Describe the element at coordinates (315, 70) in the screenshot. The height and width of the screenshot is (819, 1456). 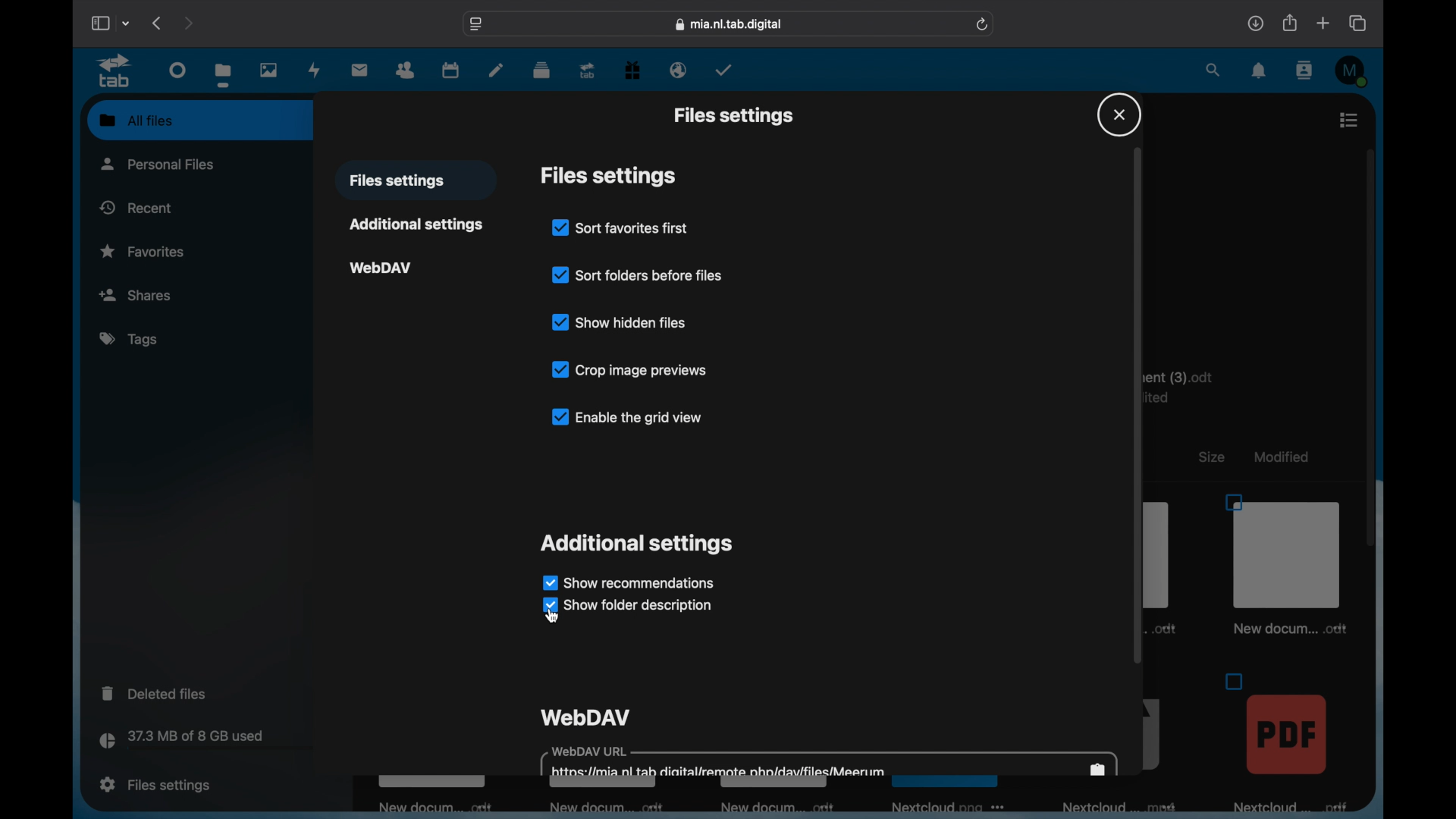
I see `activity` at that location.